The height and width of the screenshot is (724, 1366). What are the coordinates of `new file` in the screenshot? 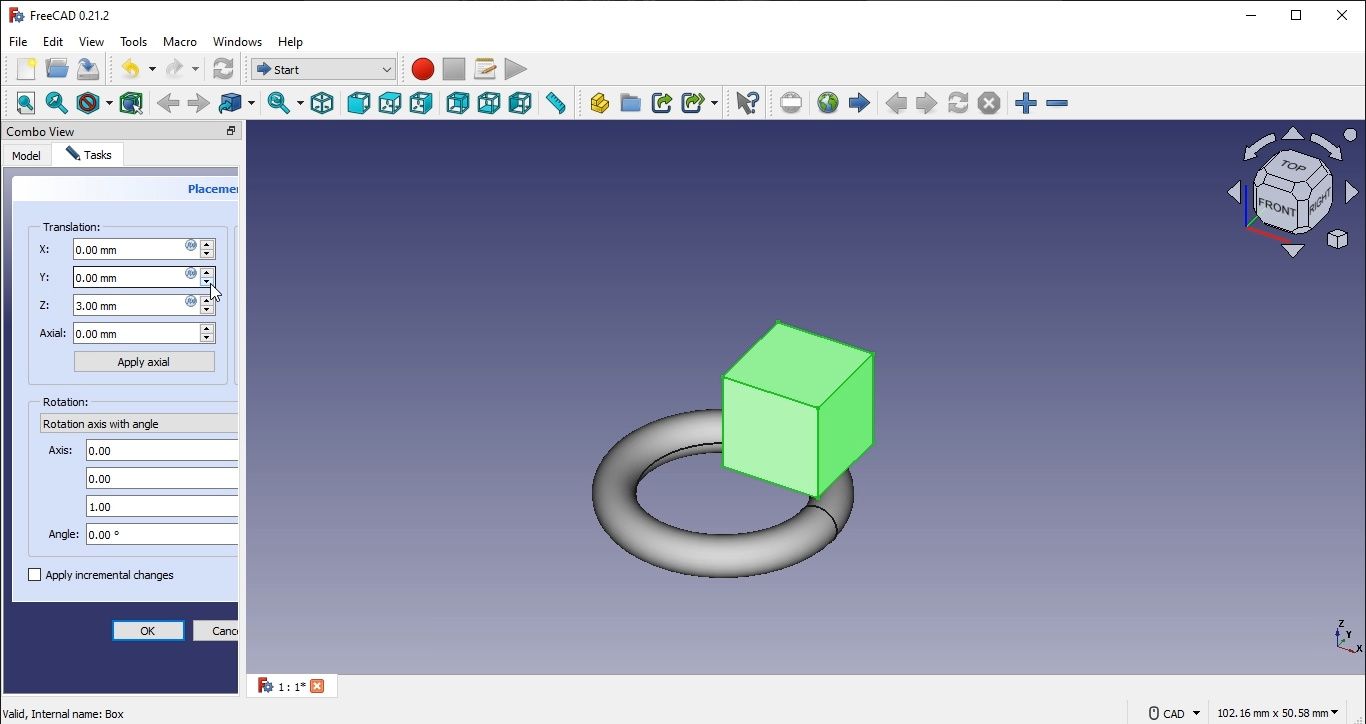 It's located at (28, 69).